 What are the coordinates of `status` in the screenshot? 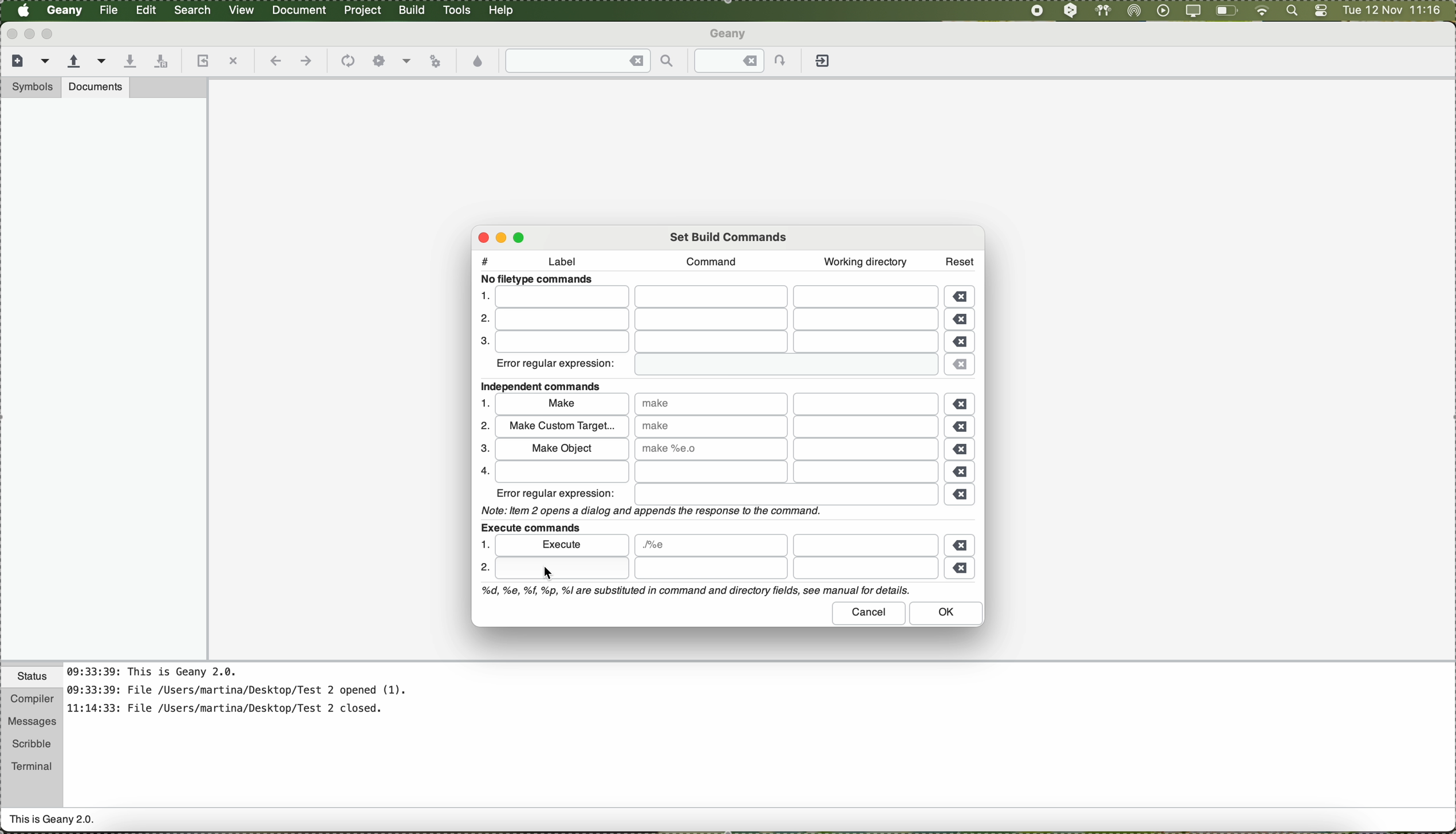 It's located at (32, 678).